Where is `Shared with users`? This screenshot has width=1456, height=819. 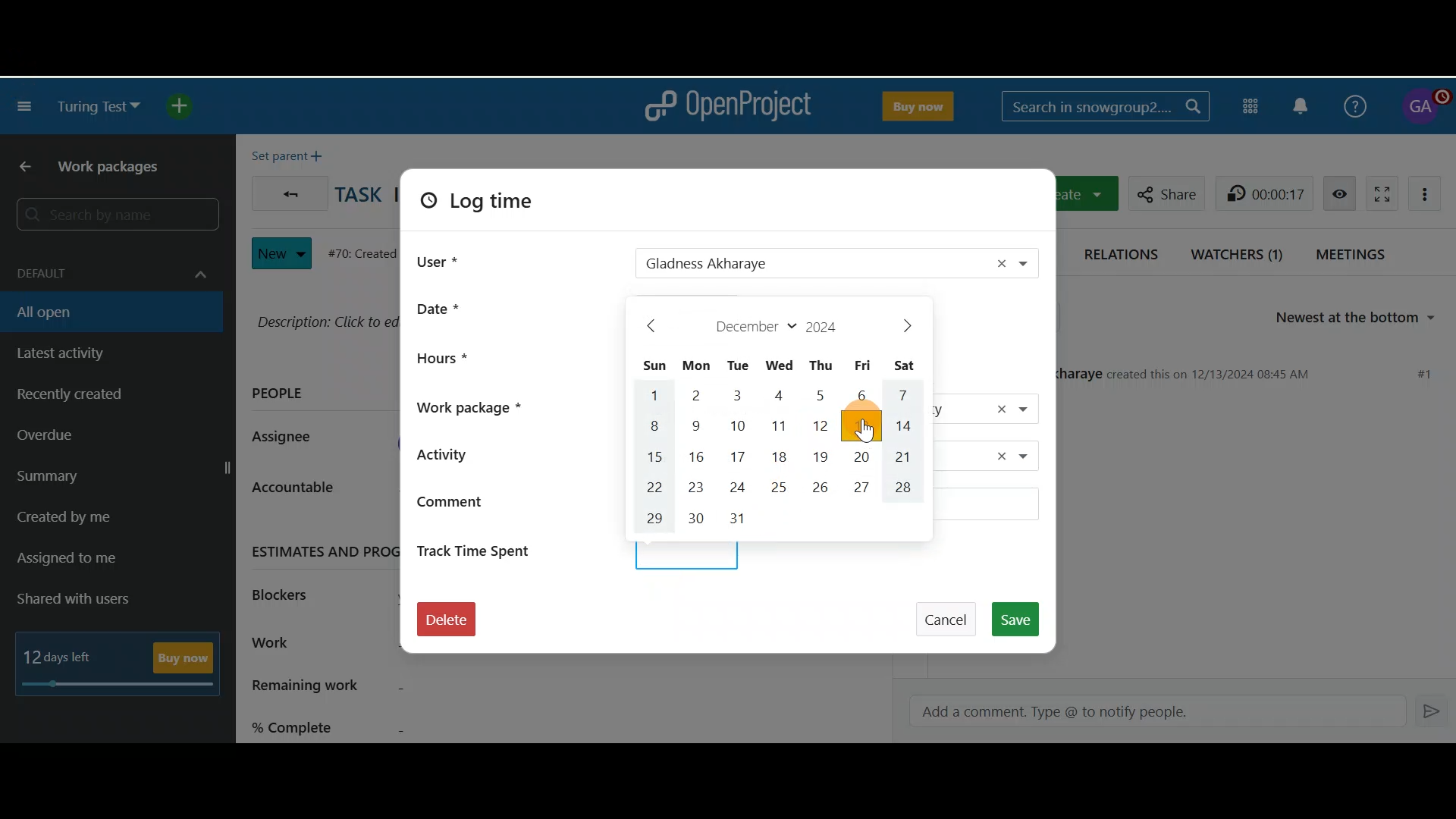 Shared with users is located at coordinates (86, 600).